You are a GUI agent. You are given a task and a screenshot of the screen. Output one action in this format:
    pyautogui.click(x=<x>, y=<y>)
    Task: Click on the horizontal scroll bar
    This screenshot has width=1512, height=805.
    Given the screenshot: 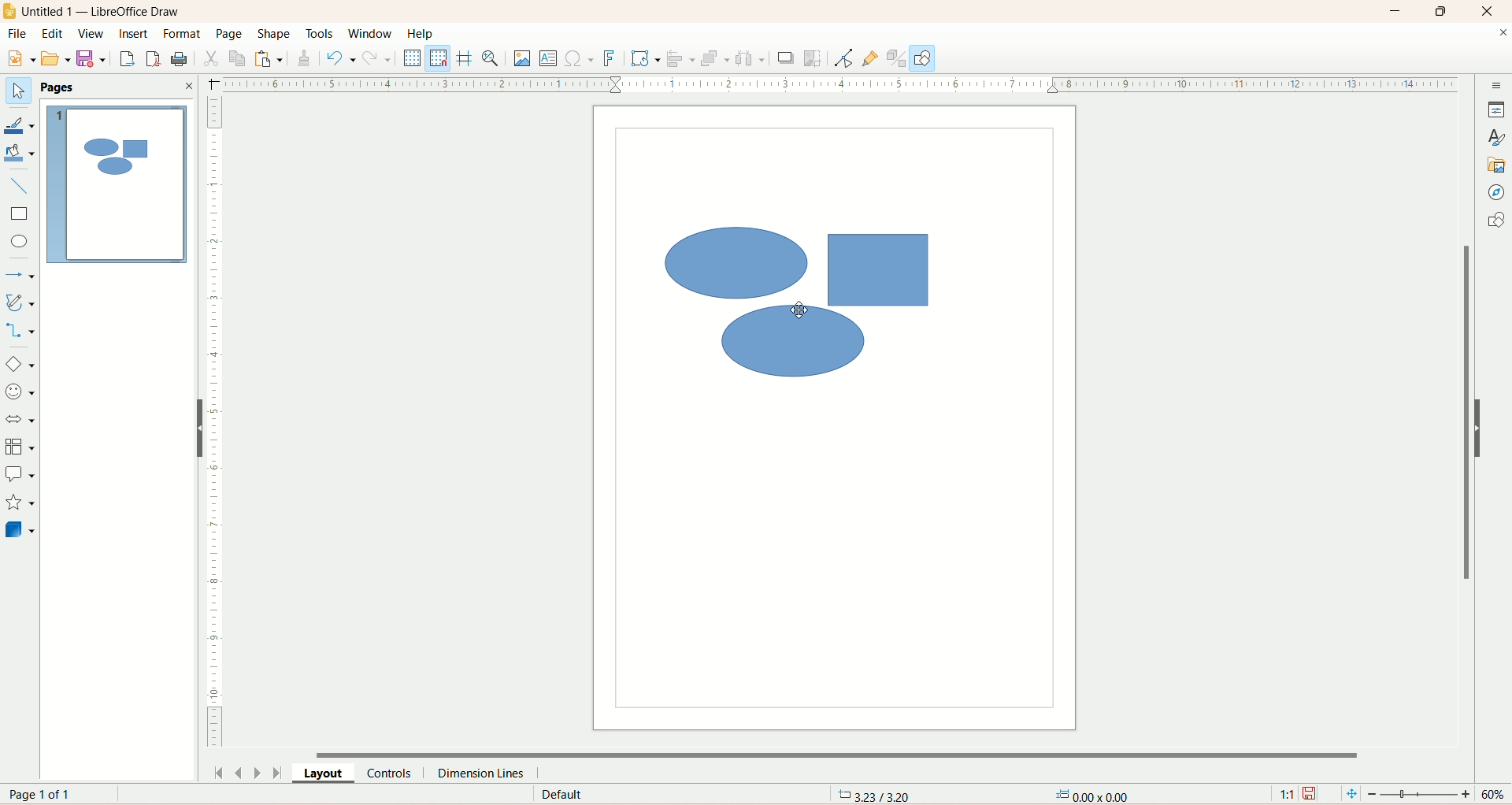 What is the action you would take?
    pyautogui.click(x=853, y=753)
    